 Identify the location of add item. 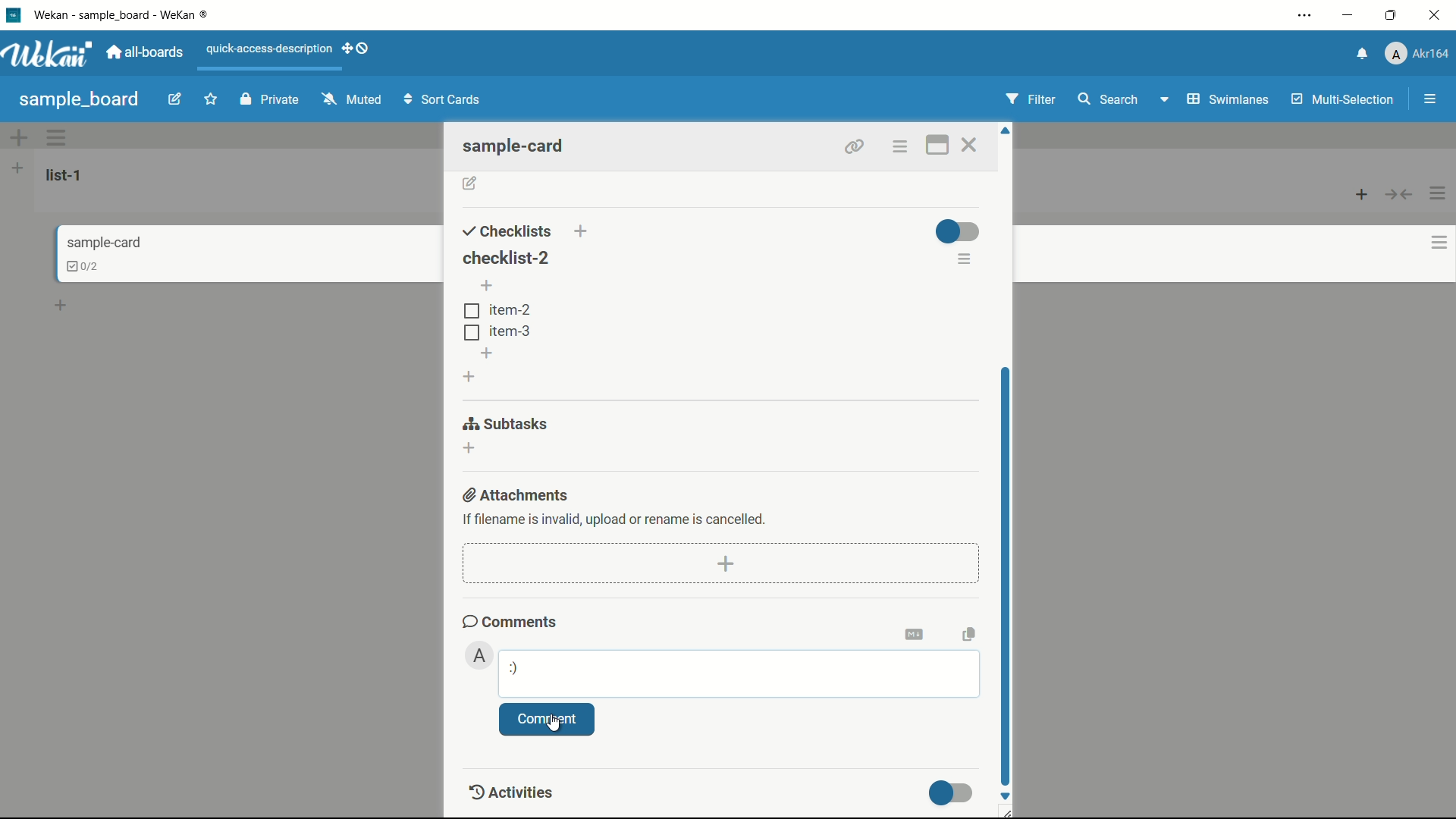
(488, 287).